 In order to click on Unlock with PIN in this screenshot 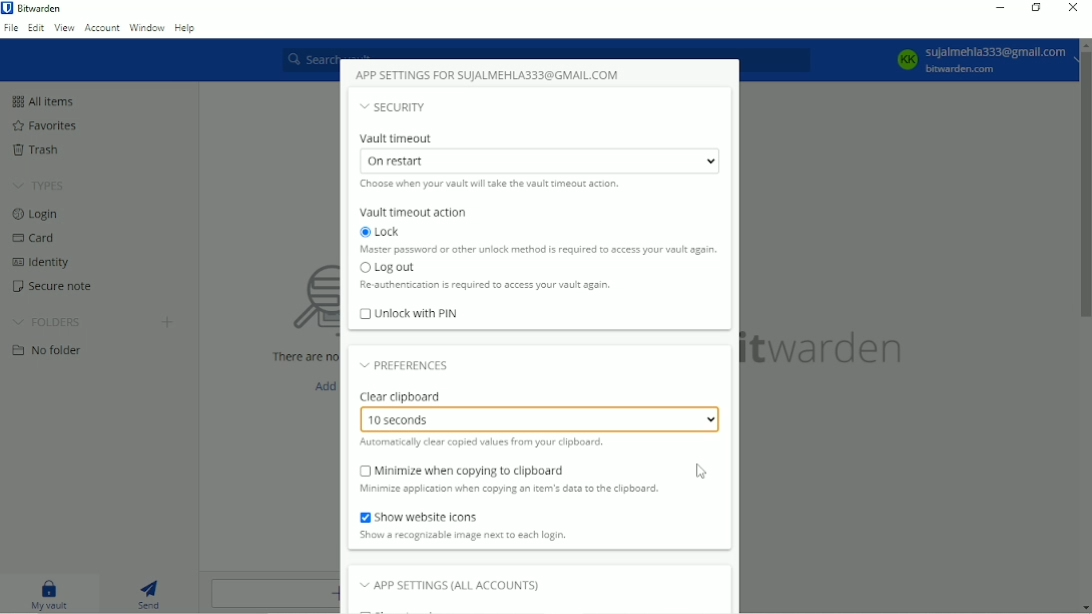, I will do `click(411, 315)`.